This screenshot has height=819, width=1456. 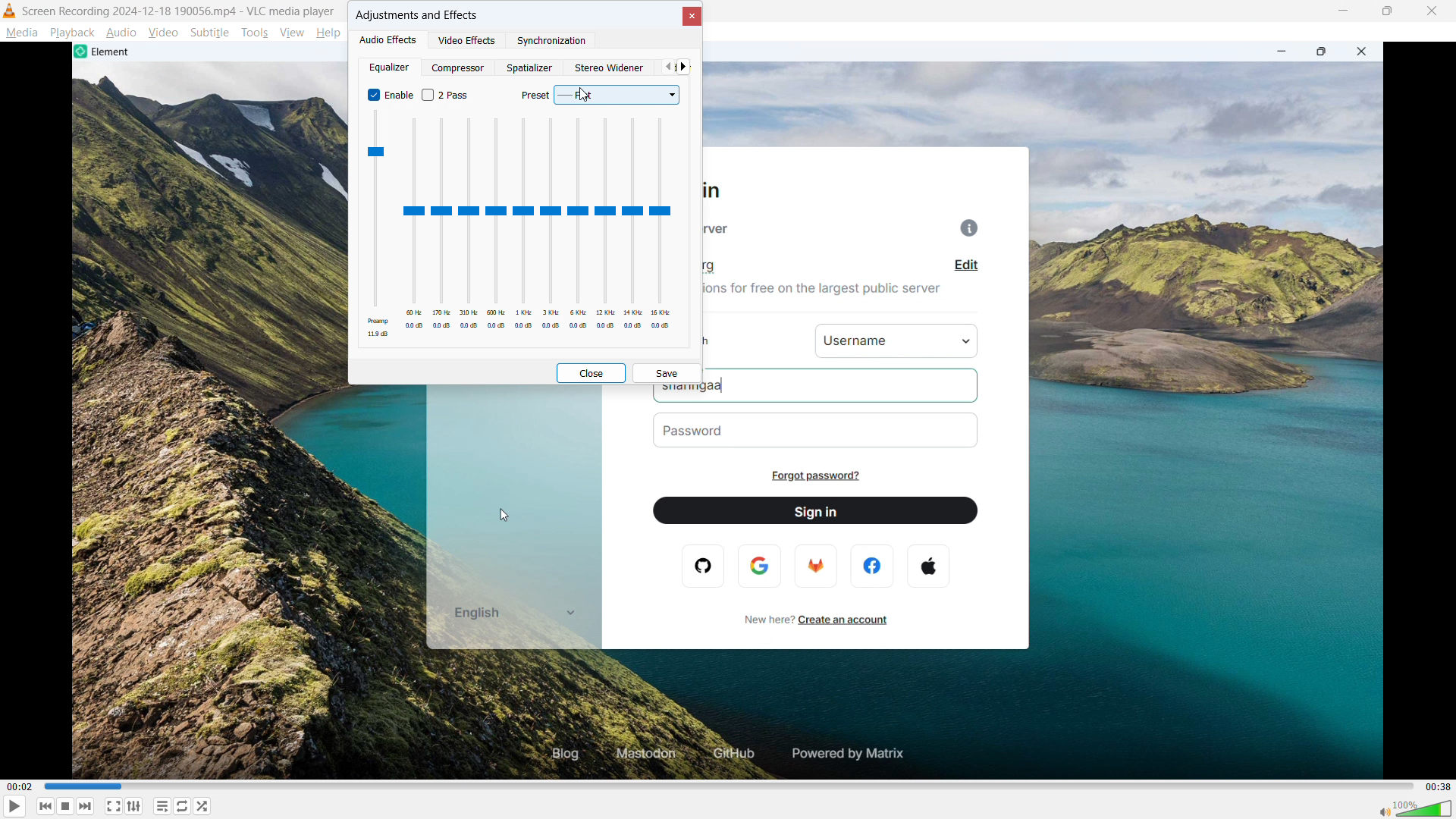 What do you see at coordinates (530, 67) in the screenshot?
I see `Spatializer ` at bounding box center [530, 67].